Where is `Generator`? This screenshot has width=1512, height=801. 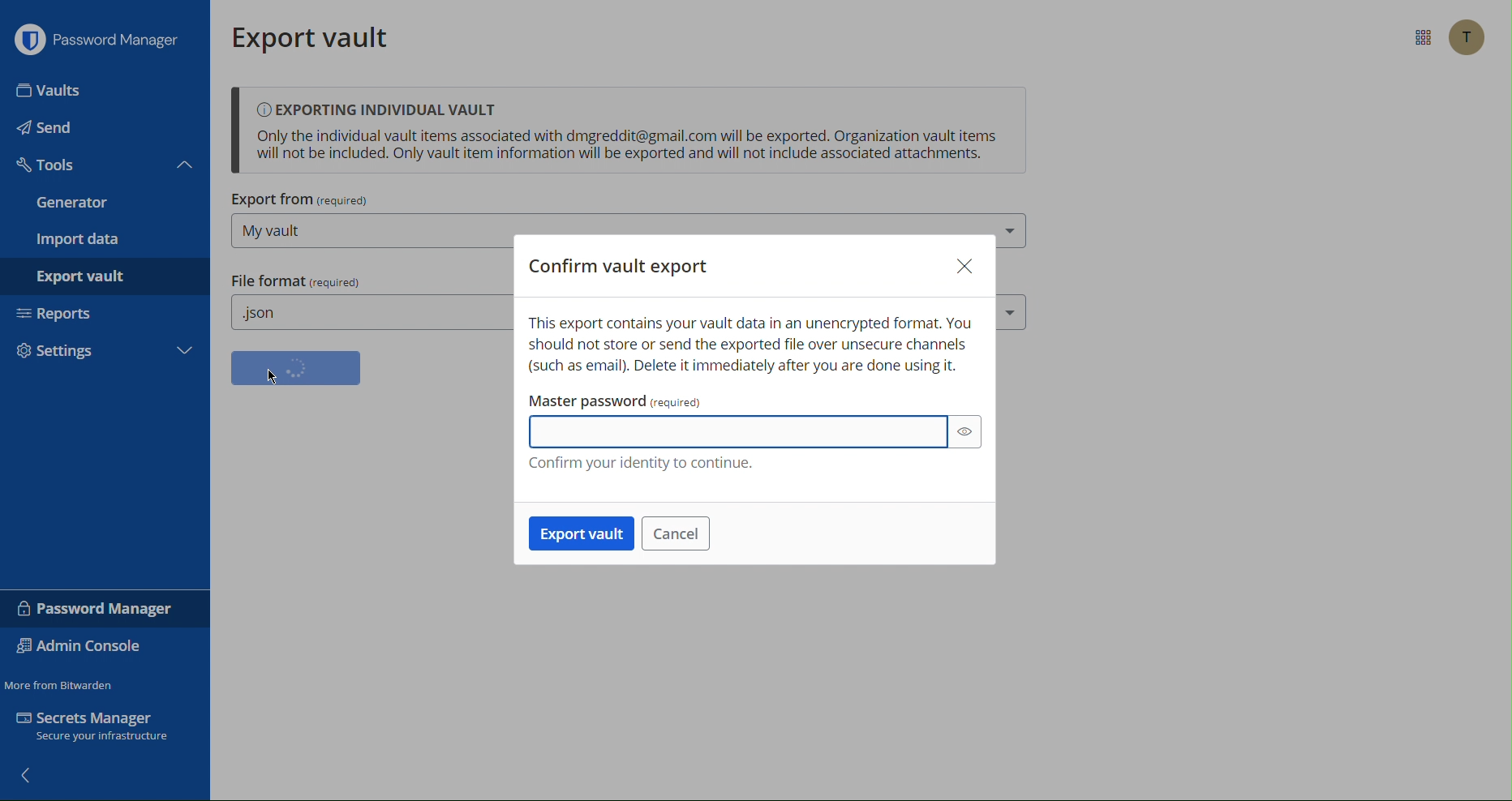 Generator is located at coordinates (73, 203).